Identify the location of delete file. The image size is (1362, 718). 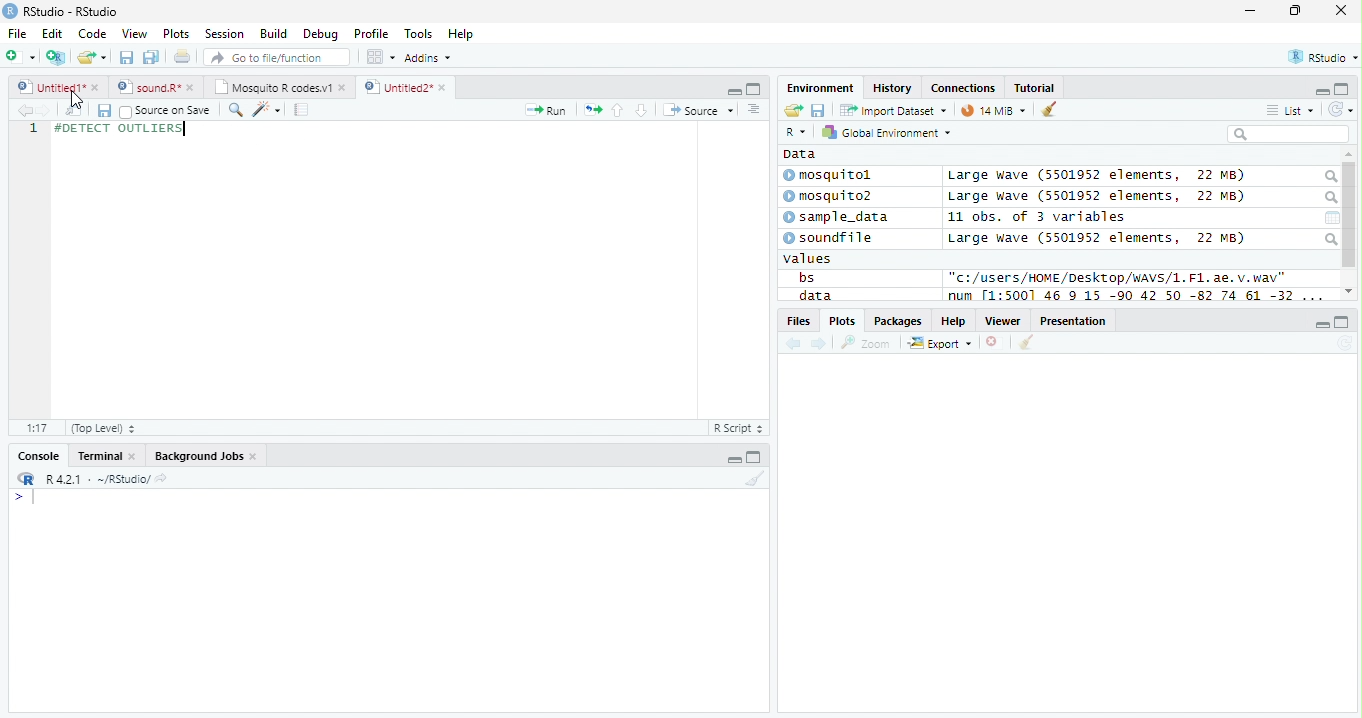
(996, 342).